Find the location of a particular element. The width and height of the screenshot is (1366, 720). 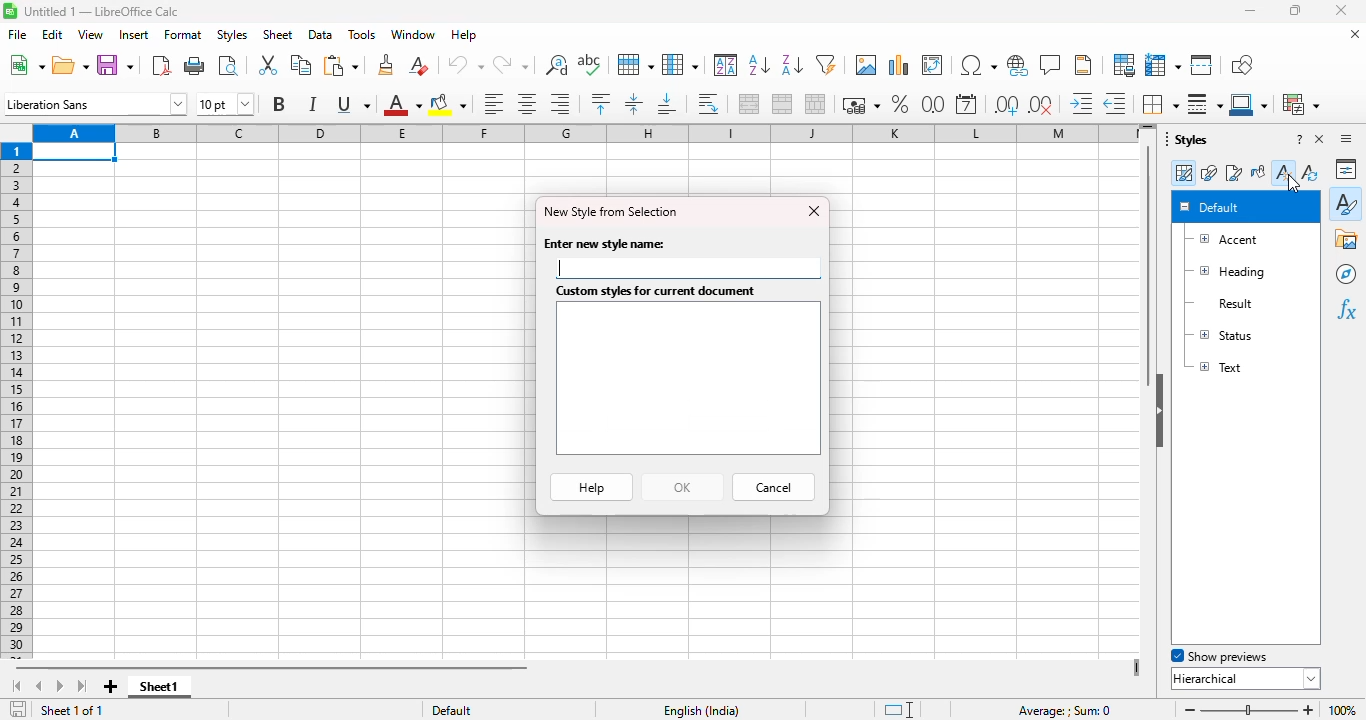

font color is located at coordinates (403, 104).